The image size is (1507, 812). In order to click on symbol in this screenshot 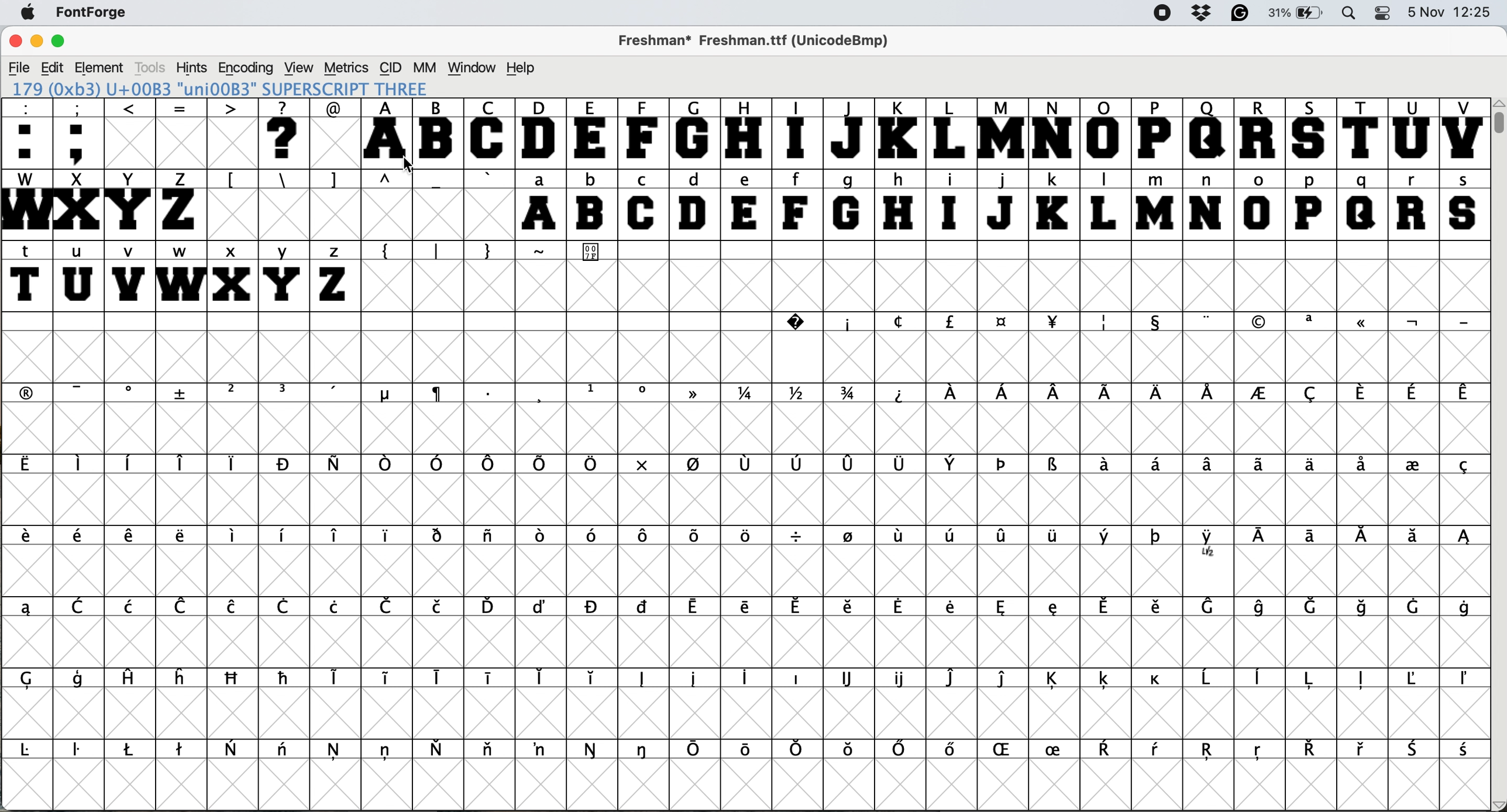, I will do `click(696, 466)`.